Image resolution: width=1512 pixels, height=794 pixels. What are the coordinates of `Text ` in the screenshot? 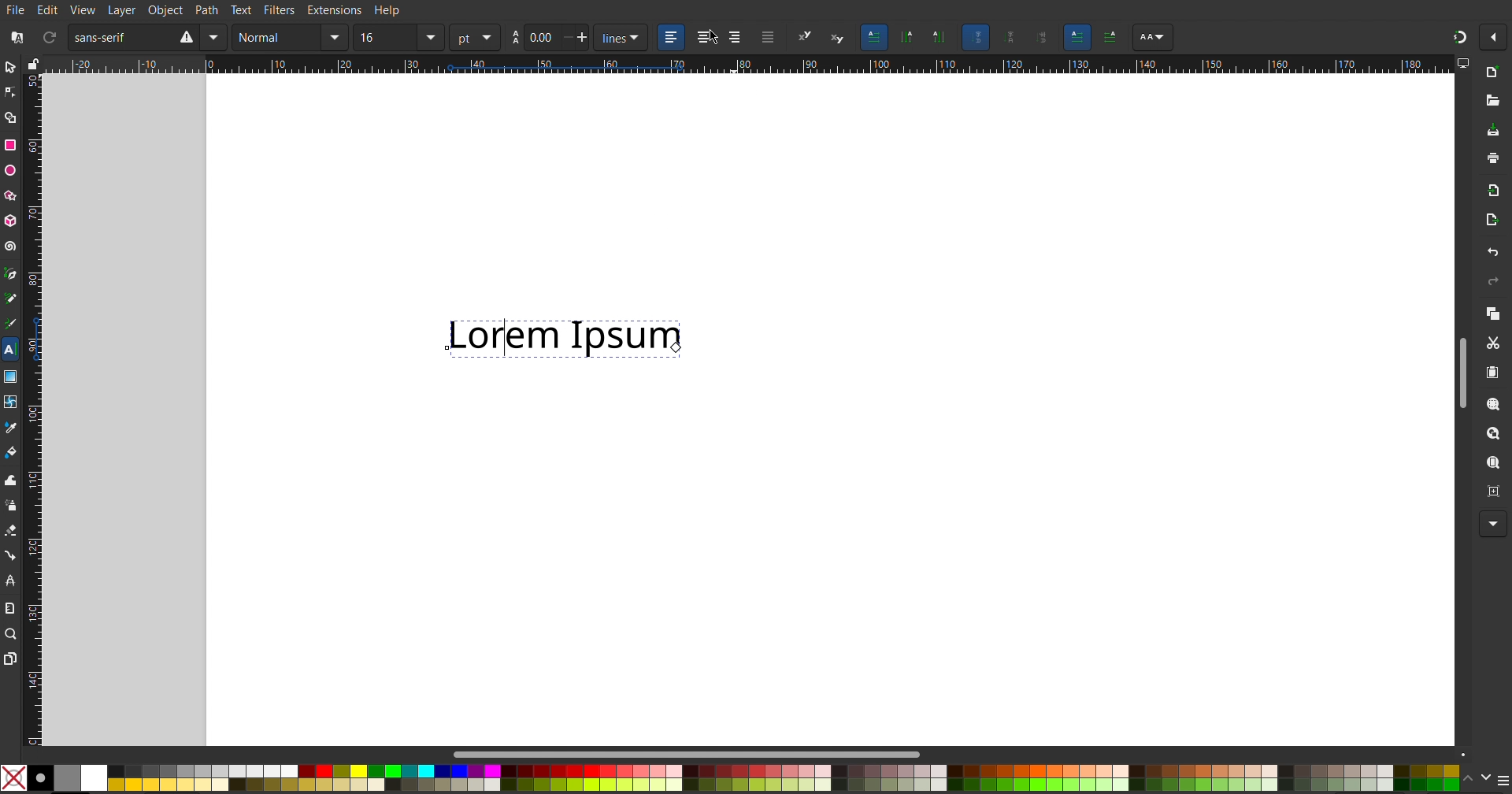 It's located at (243, 11).